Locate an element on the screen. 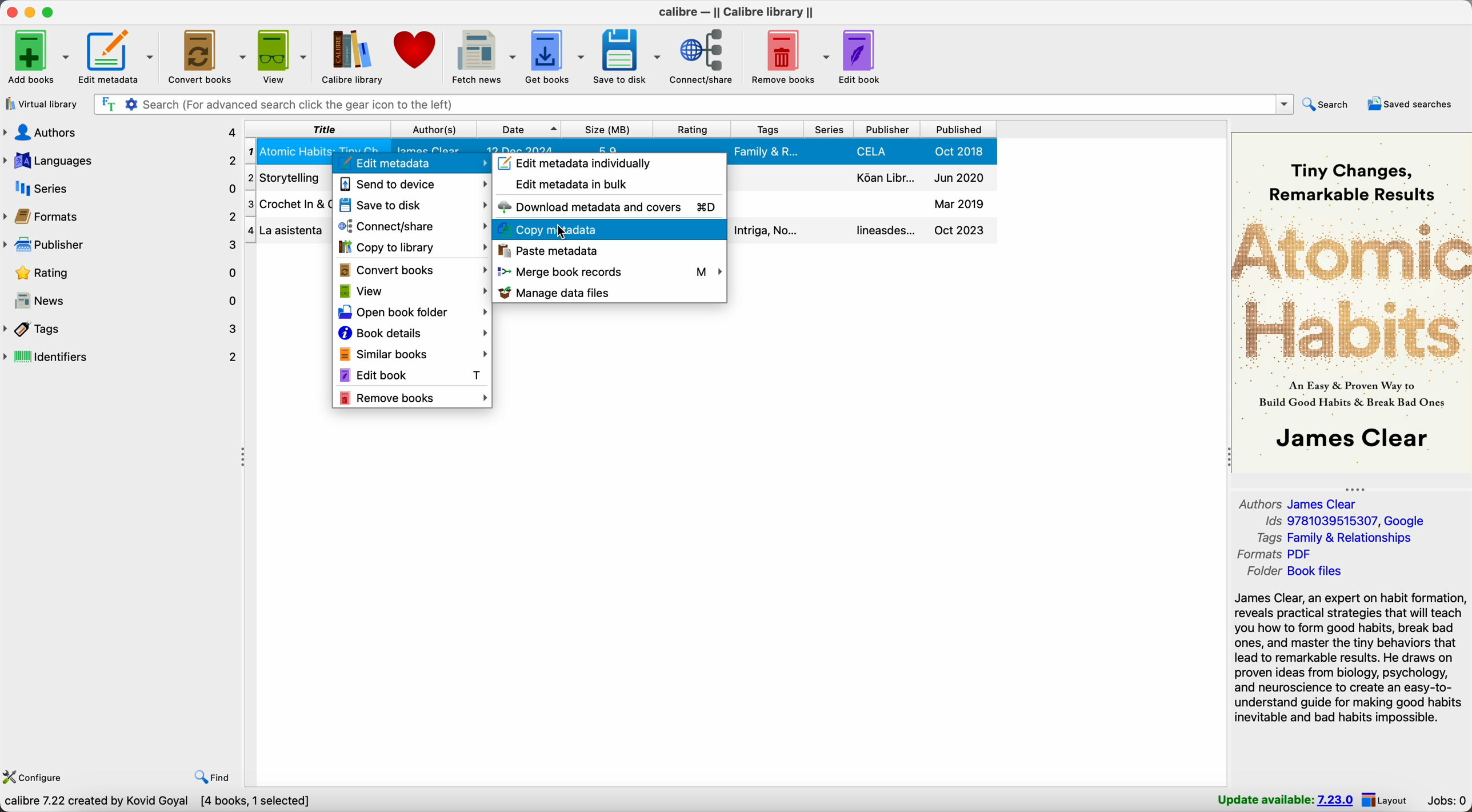  manage data files is located at coordinates (562, 293).